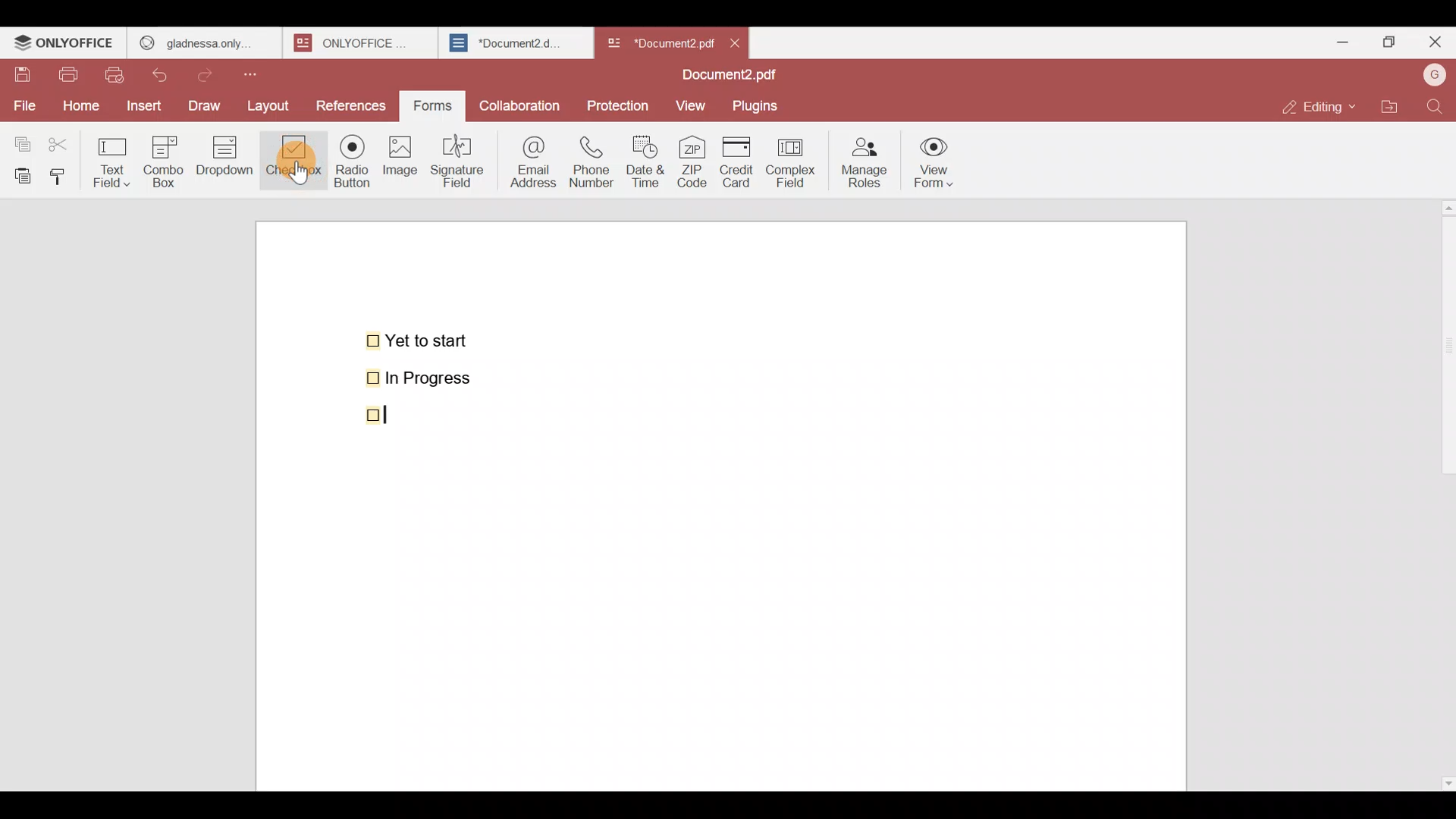 The image size is (1456, 819). I want to click on Undo, so click(167, 72).